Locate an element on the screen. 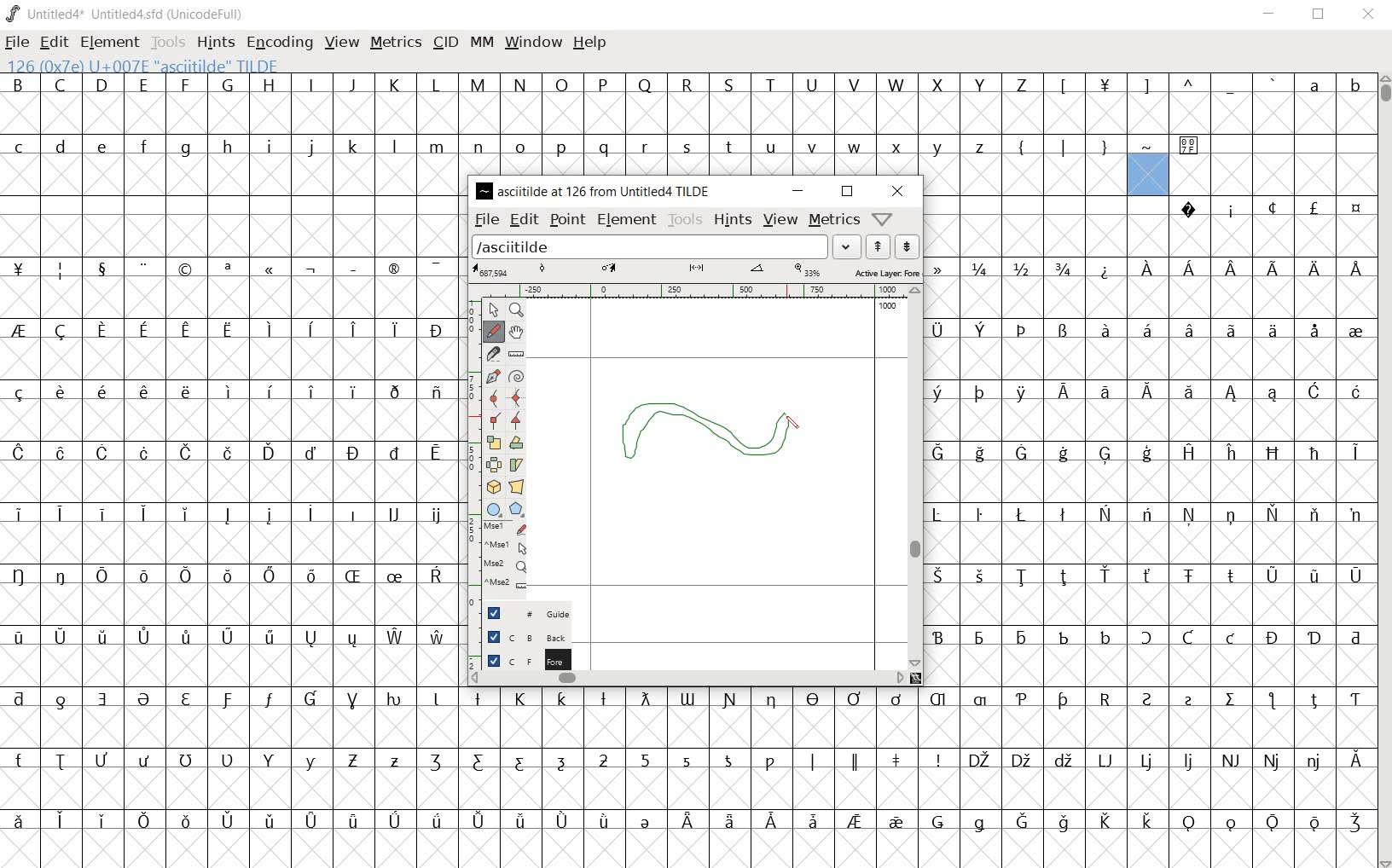  add a curve point always either horizontal or vertical is located at coordinates (517, 399).